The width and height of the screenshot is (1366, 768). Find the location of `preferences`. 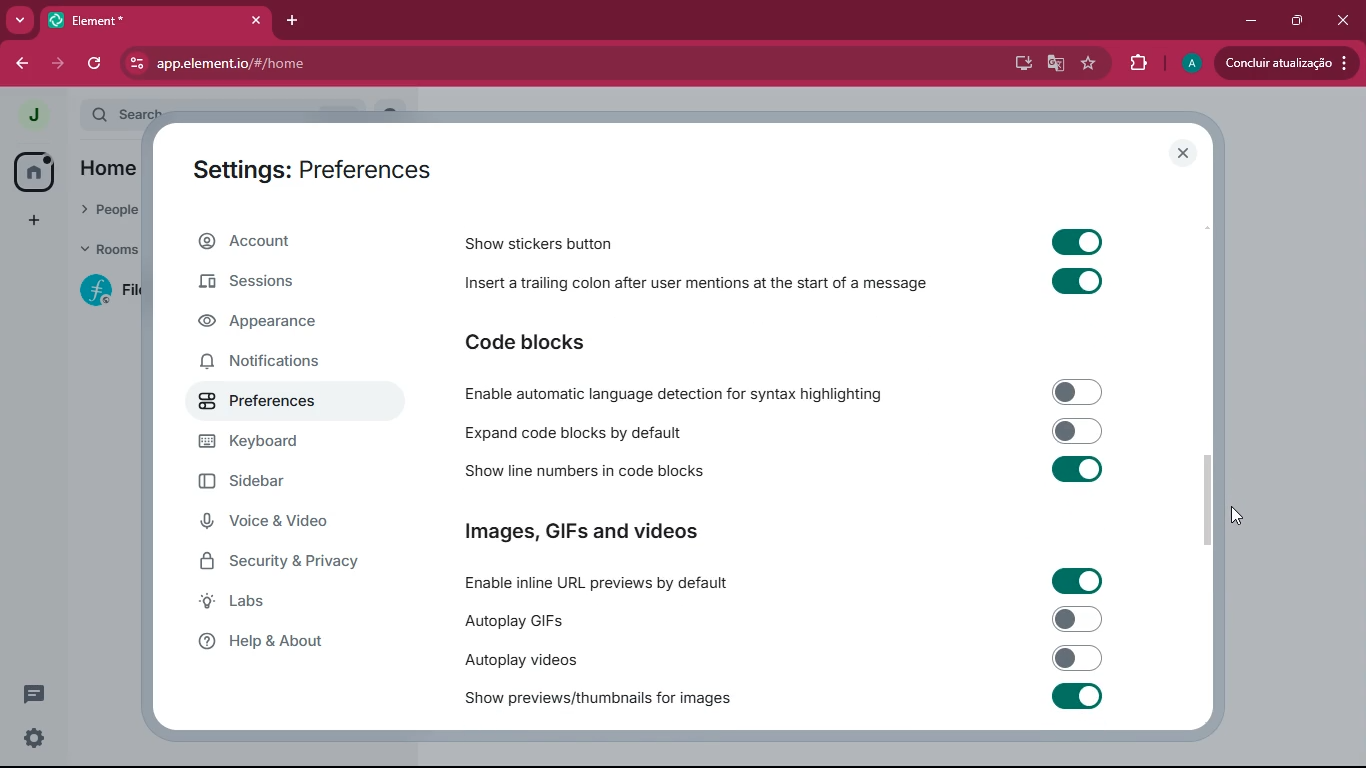

preferences is located at coordinates (280, 406).